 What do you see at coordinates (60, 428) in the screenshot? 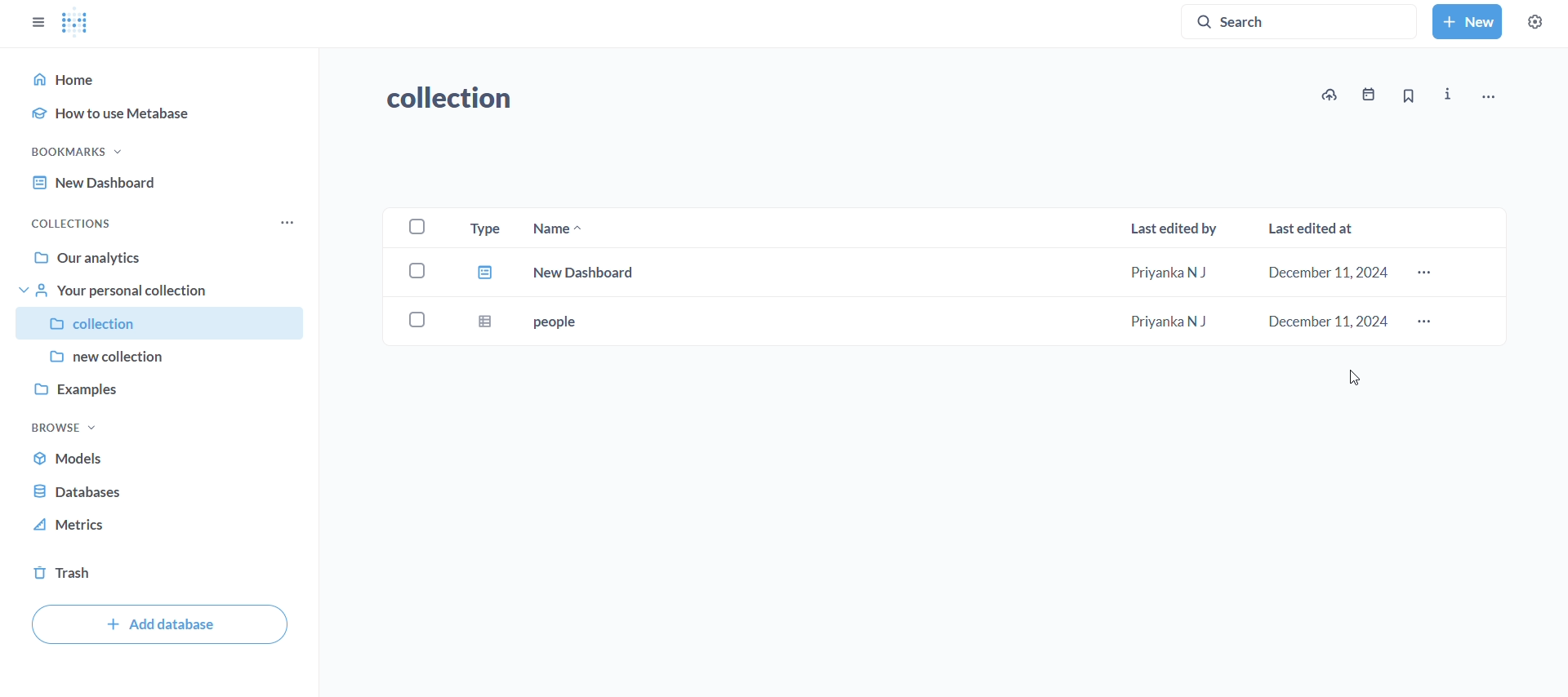
I see `browse` at bounding box center [60, 428].